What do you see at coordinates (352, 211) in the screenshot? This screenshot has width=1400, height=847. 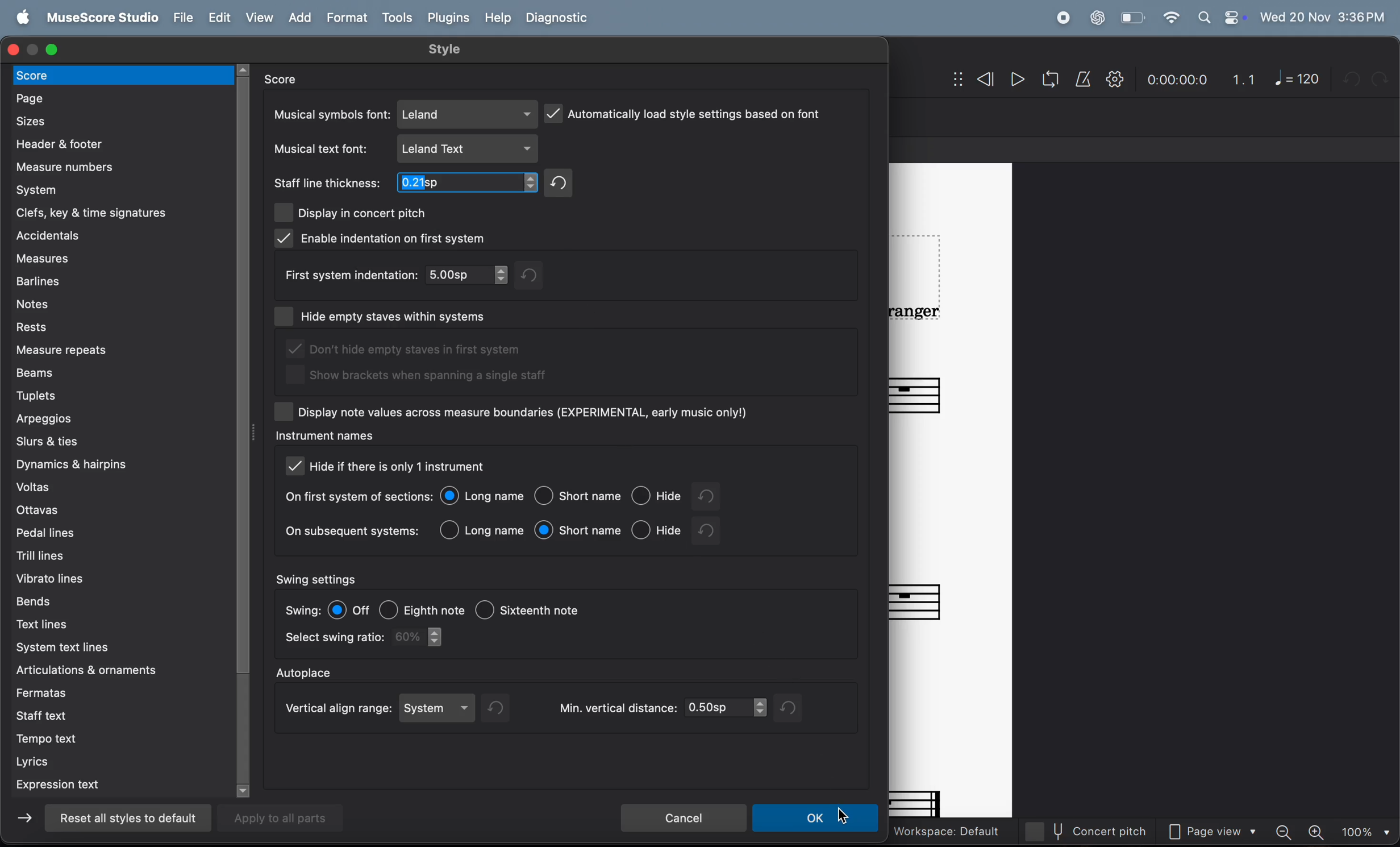 I see `display in concert pitch` at bounding box center [352, 211].